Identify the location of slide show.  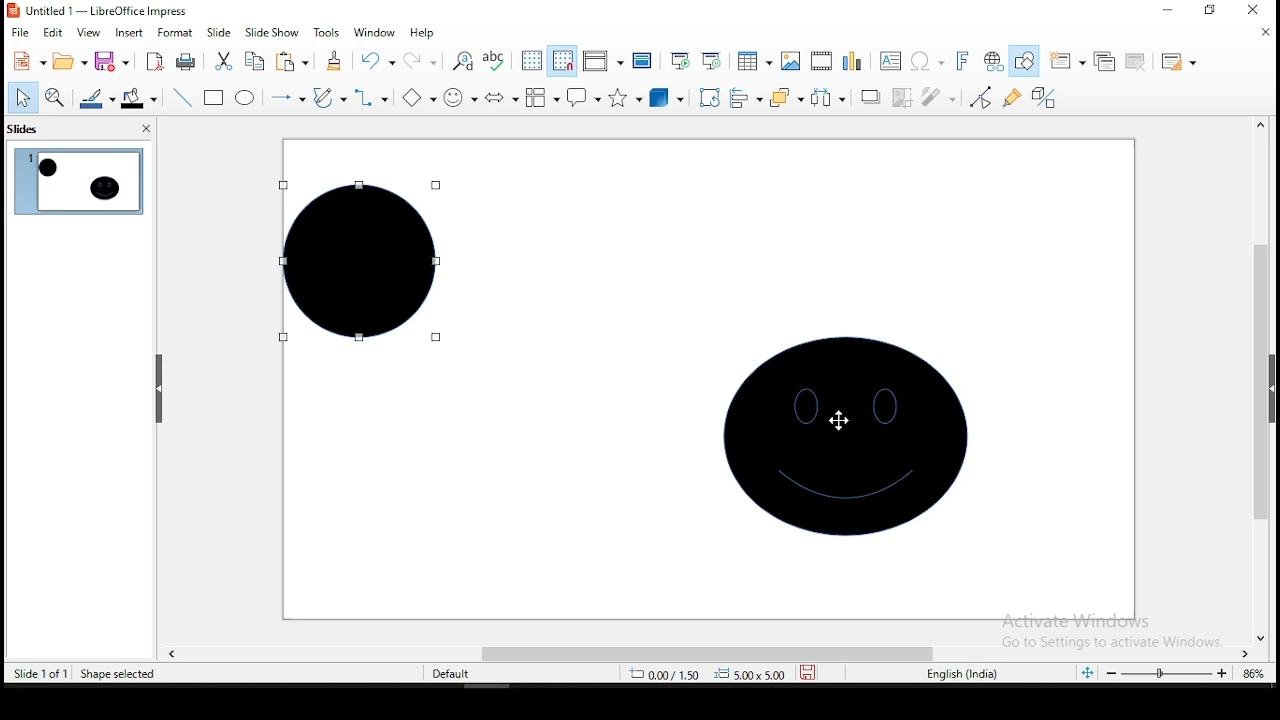
(272, 31).